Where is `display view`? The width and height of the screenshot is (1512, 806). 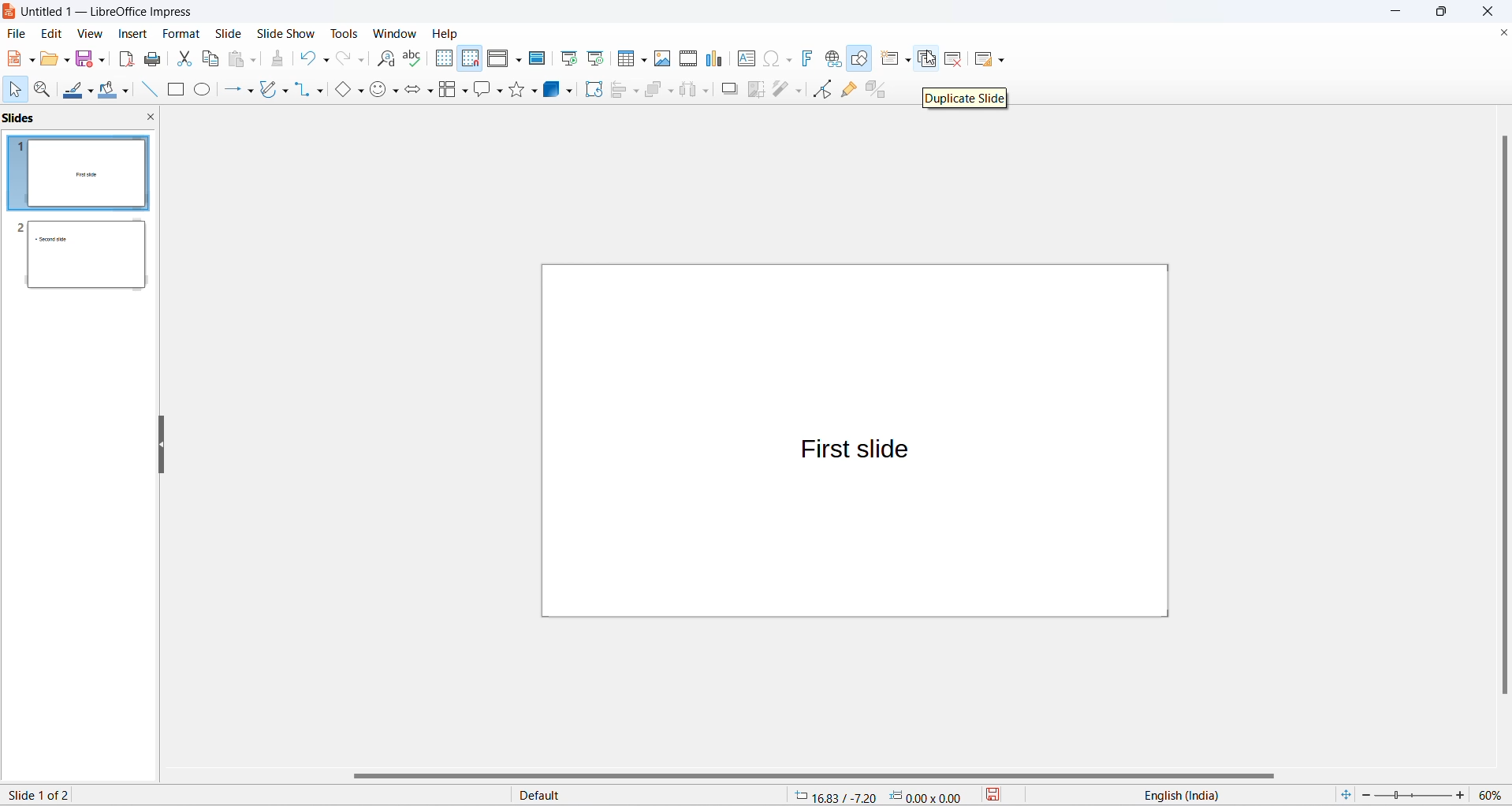
display view is located at coordinates (498, 59).